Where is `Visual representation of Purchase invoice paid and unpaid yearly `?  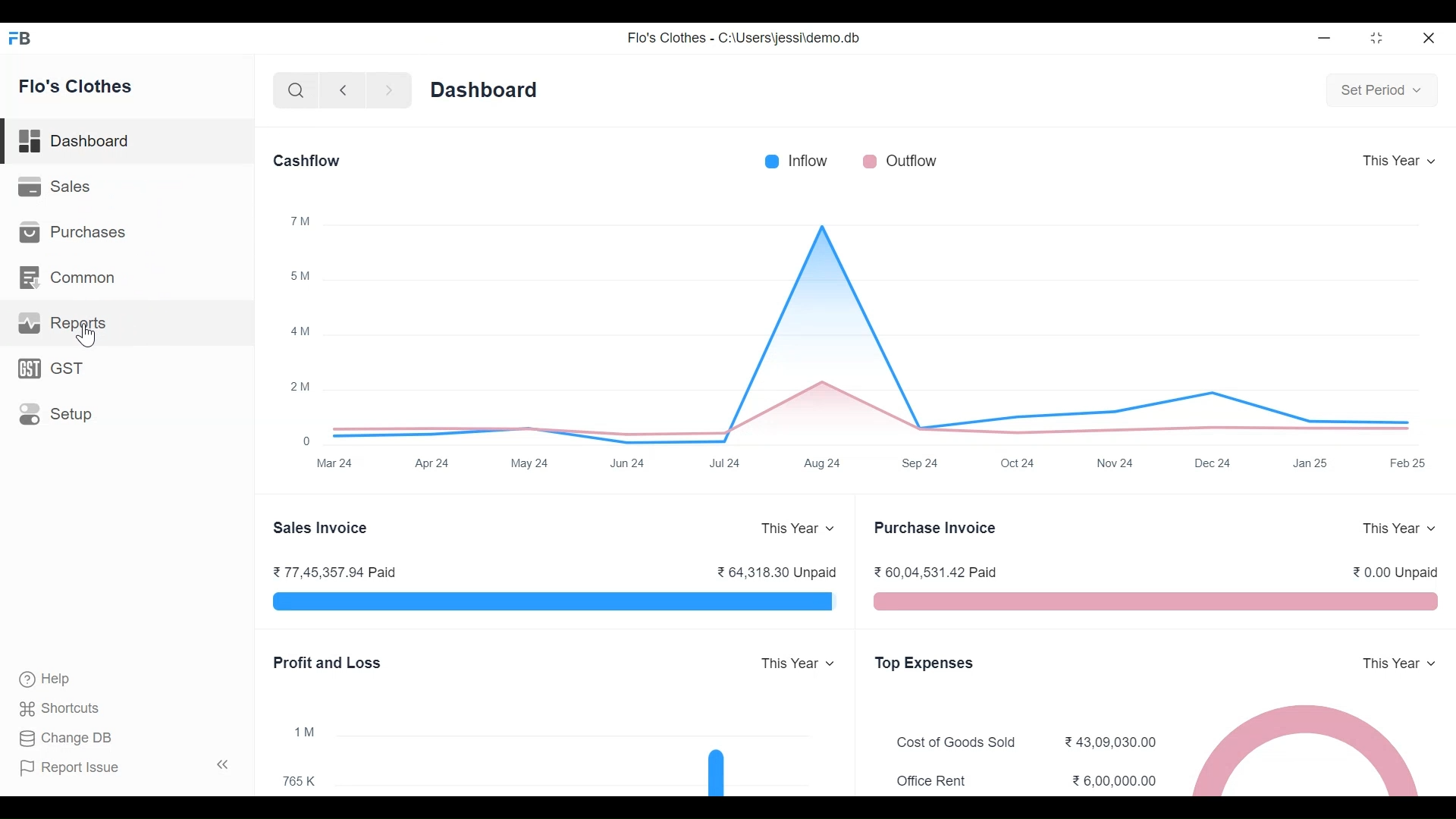
Visual representation of Purchase invoice paid and unpaid yearly  is located at coordinates (1154, 601).